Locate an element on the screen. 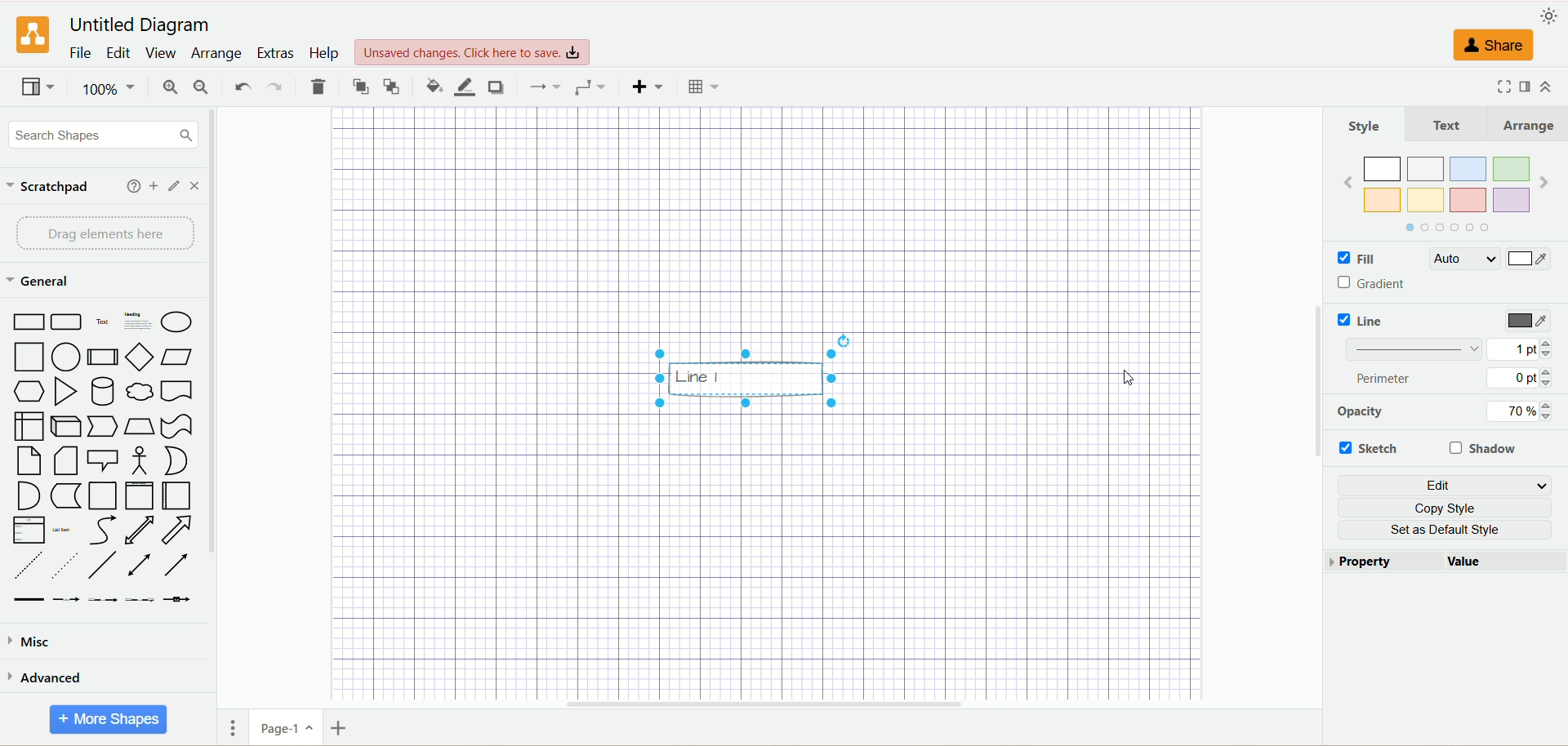  Parallelogram is located at coordinates (176, 357).